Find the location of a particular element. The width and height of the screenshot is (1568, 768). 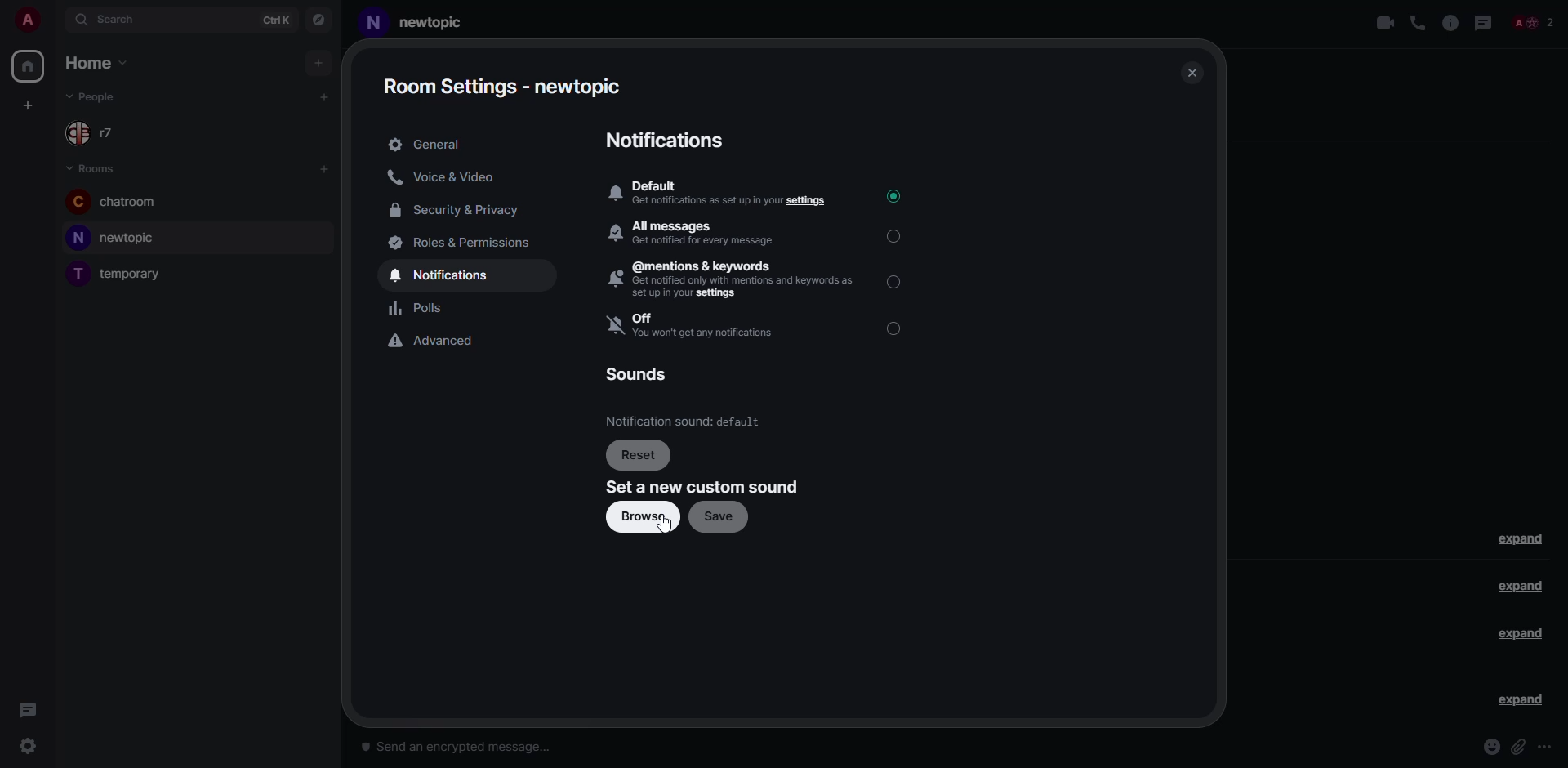

save is located at coordinates (717, 516).